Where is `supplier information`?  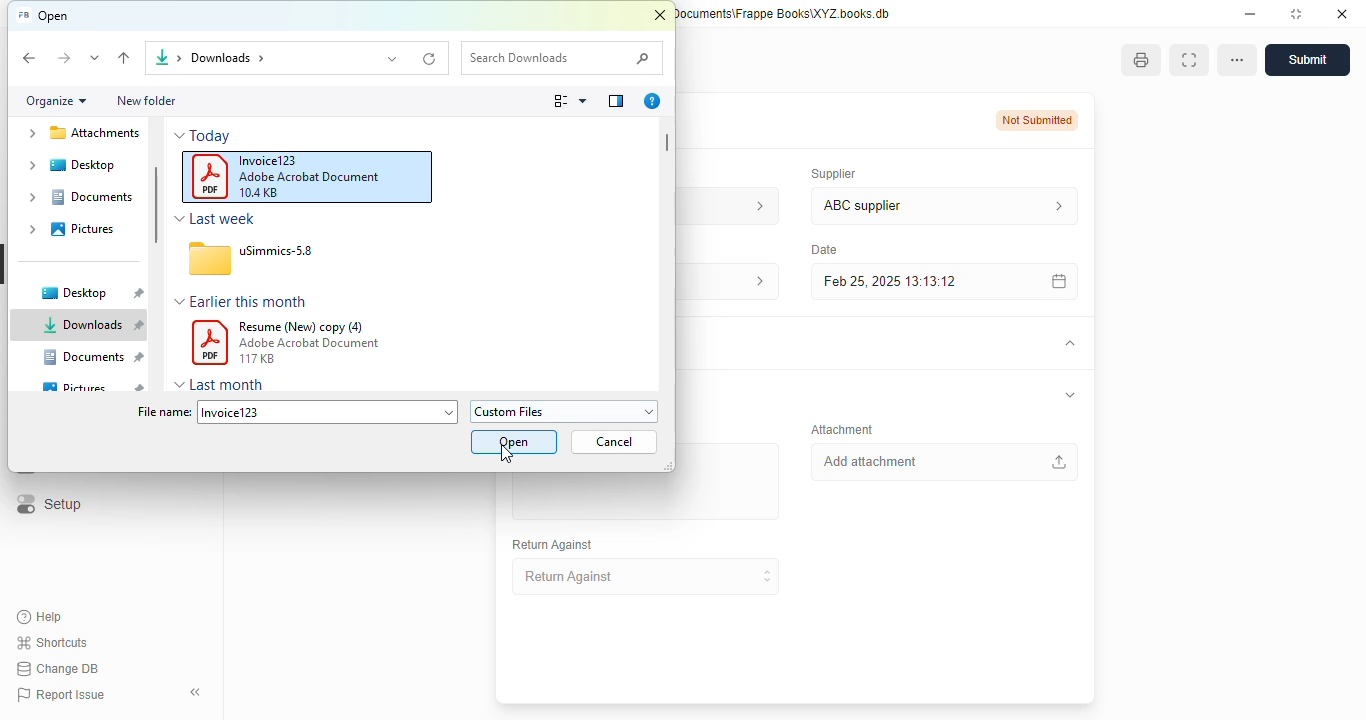
supplier information is located at coordinates (1054, 206).